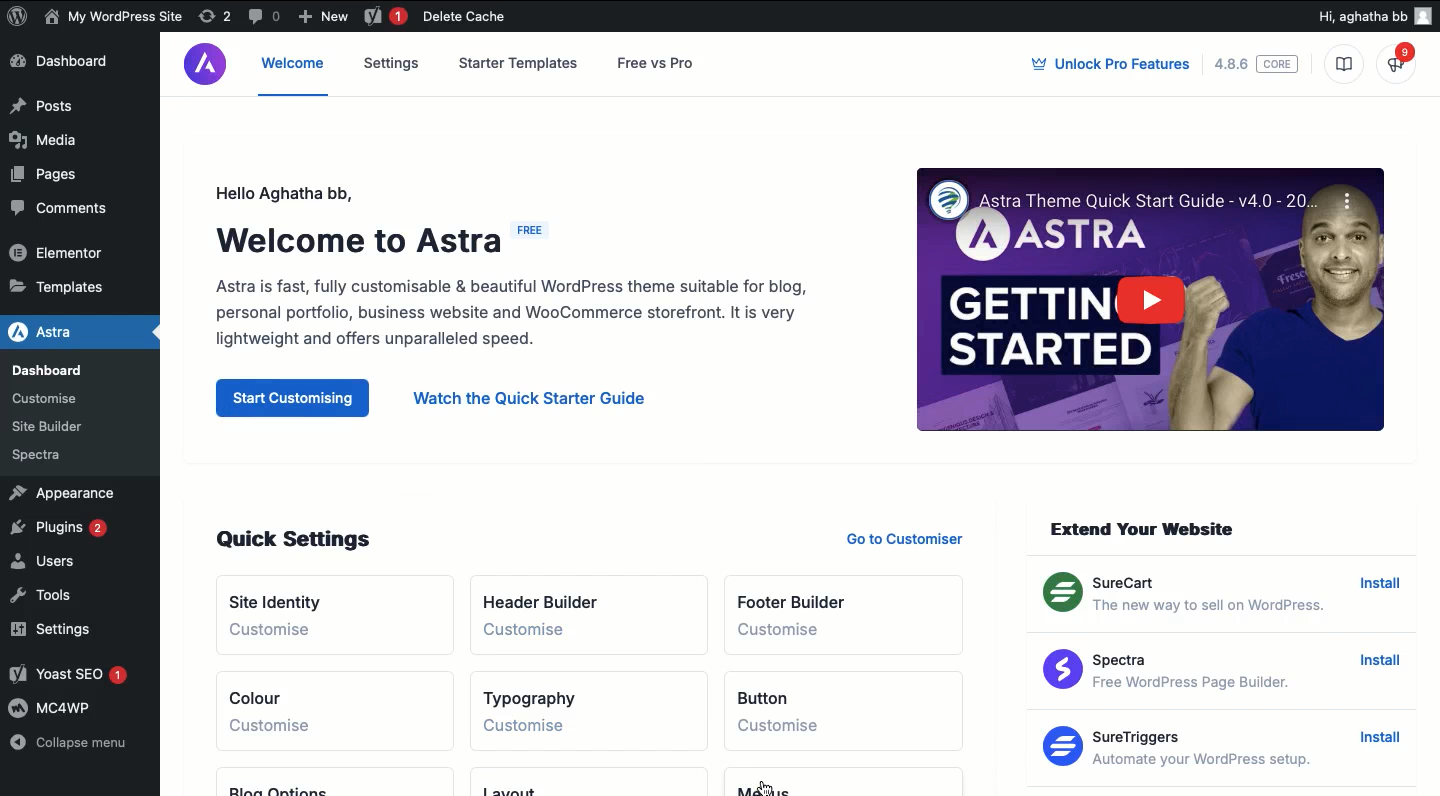 Image resolution: width=1440 pixels, height=796 pixels. Describe the element at coordinates (538, 727) in the screenshot. I see `Customise` at that location.